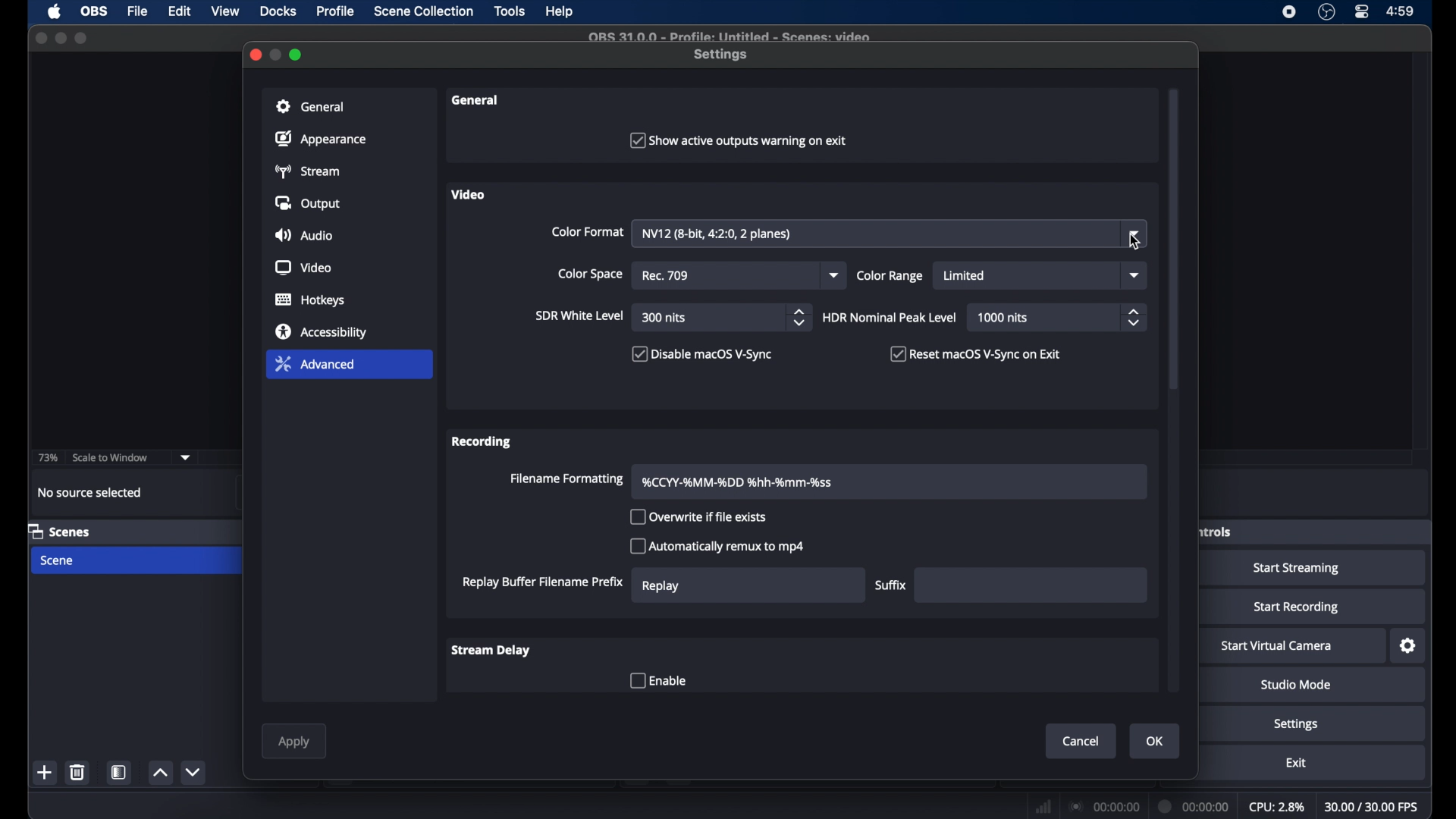 This screenshot has height=819, width=1456. What do you see at coordinates (1278, 808) in the screenshot?
I see `cpu: 2.8%` at bounding box center [1278, 808].